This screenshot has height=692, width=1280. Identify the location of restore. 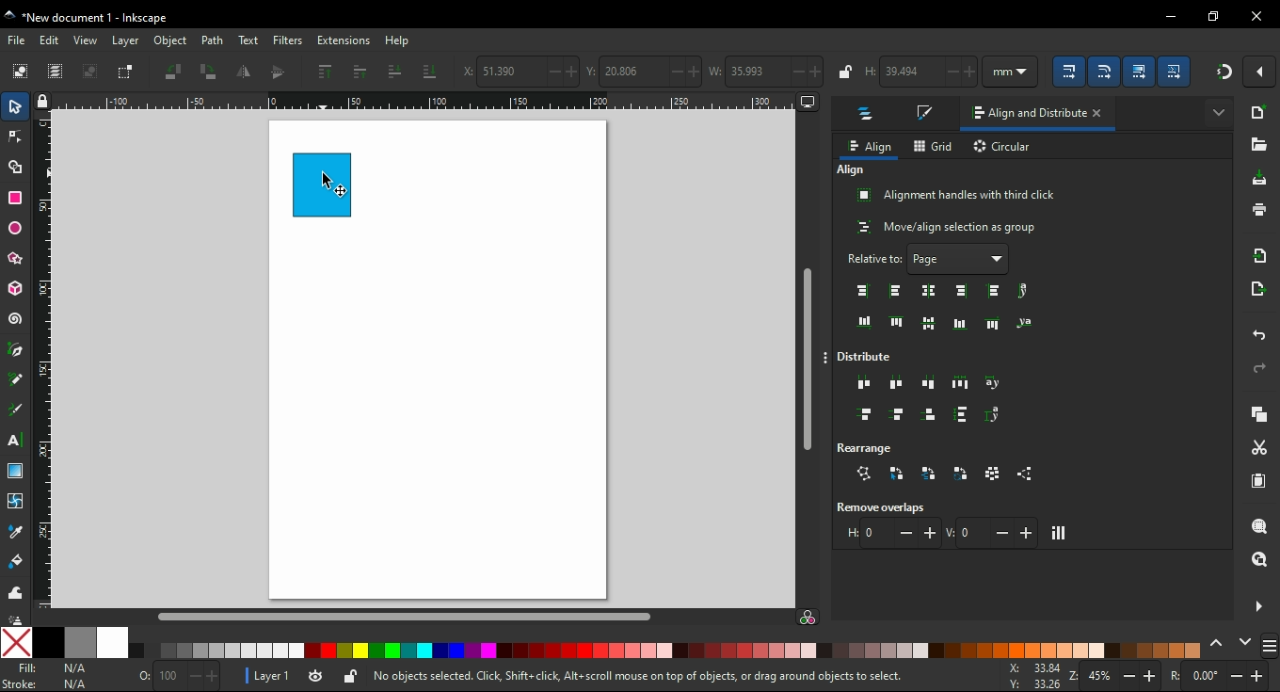
(1214, 16).